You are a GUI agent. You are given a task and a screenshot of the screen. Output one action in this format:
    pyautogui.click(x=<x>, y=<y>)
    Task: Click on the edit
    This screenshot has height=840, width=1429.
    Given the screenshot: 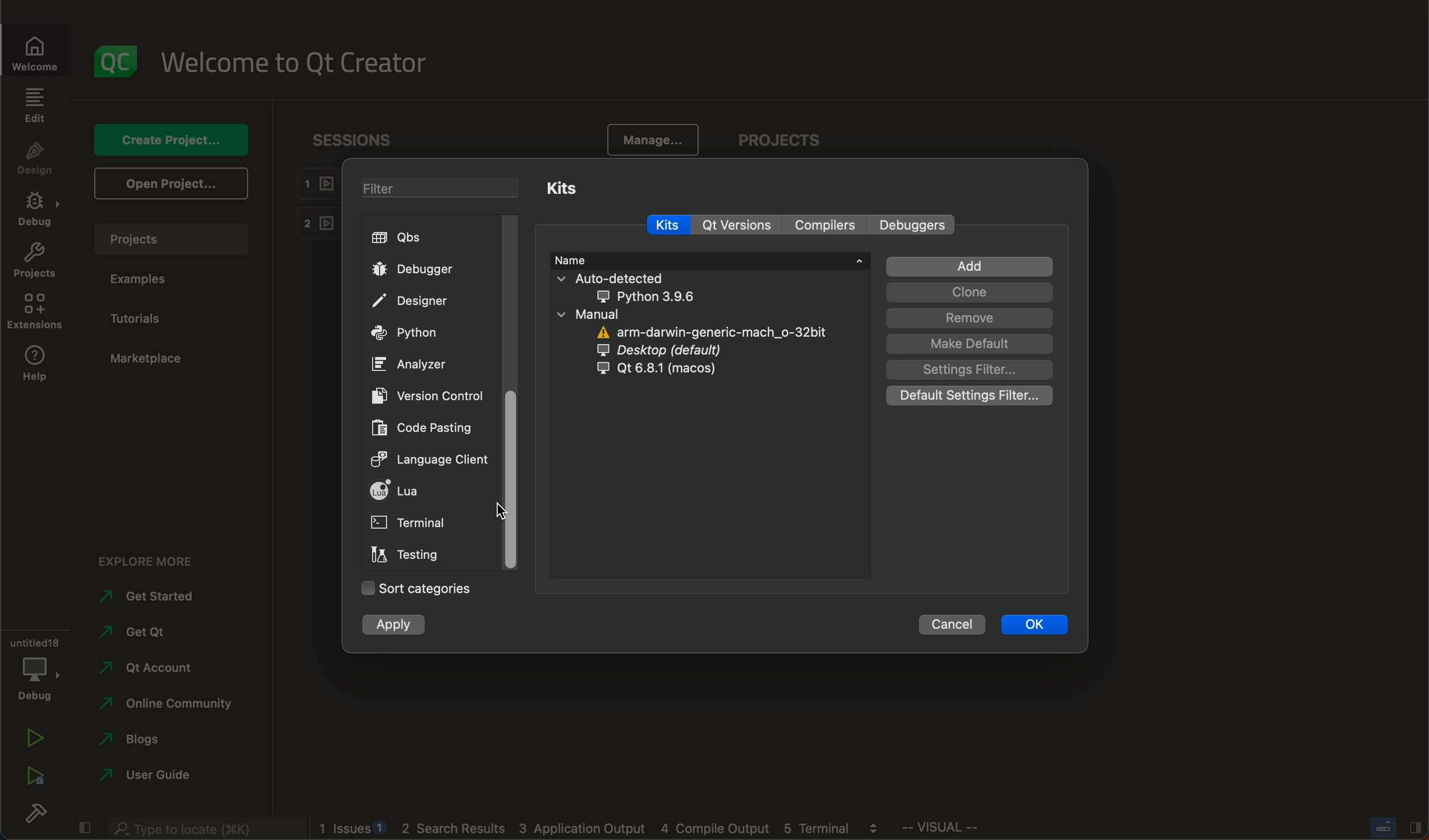 What is the action you would take?
    pyautogui.click(x=36, y=104)
    